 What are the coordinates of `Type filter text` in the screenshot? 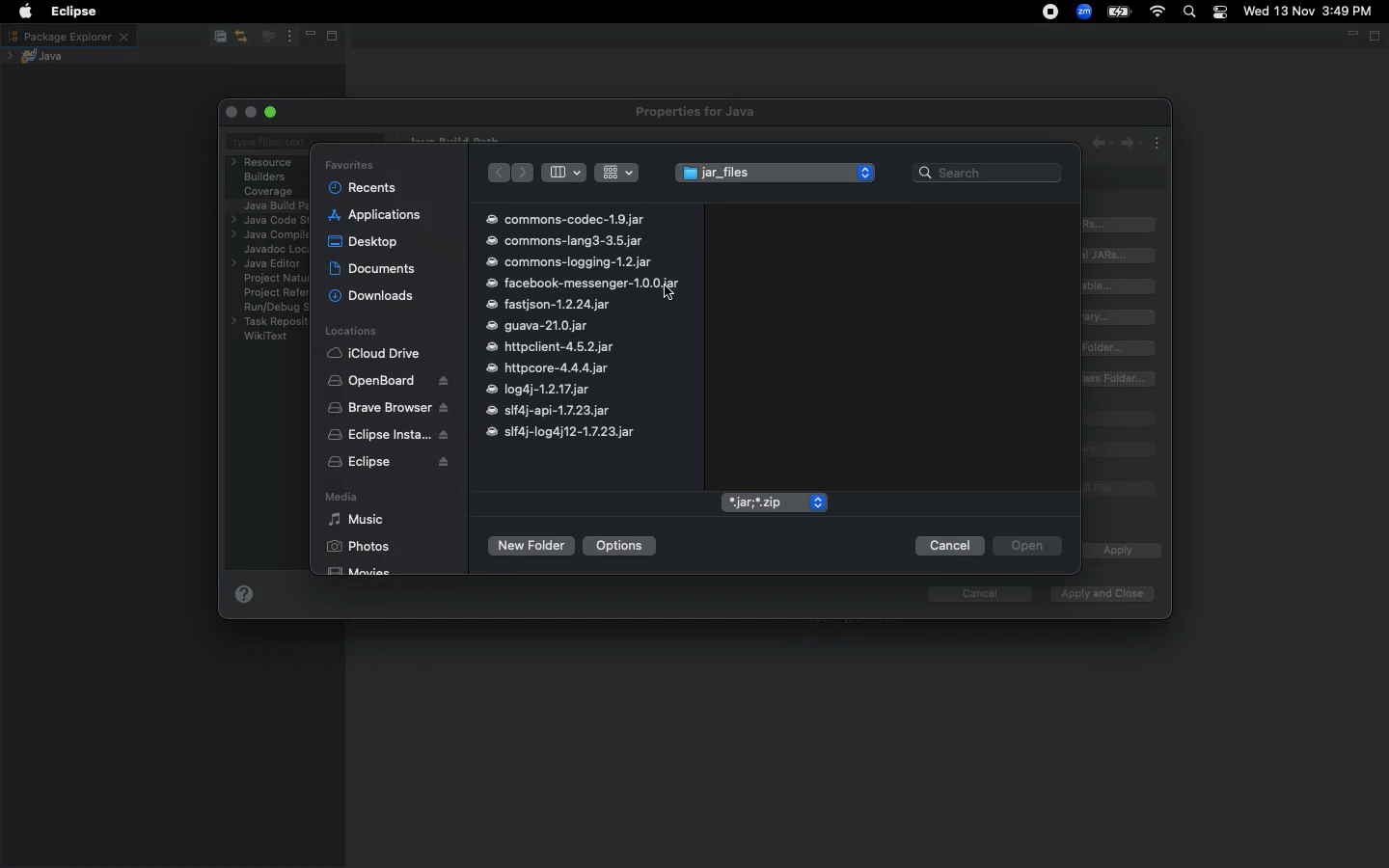 It's located at (270, 144).